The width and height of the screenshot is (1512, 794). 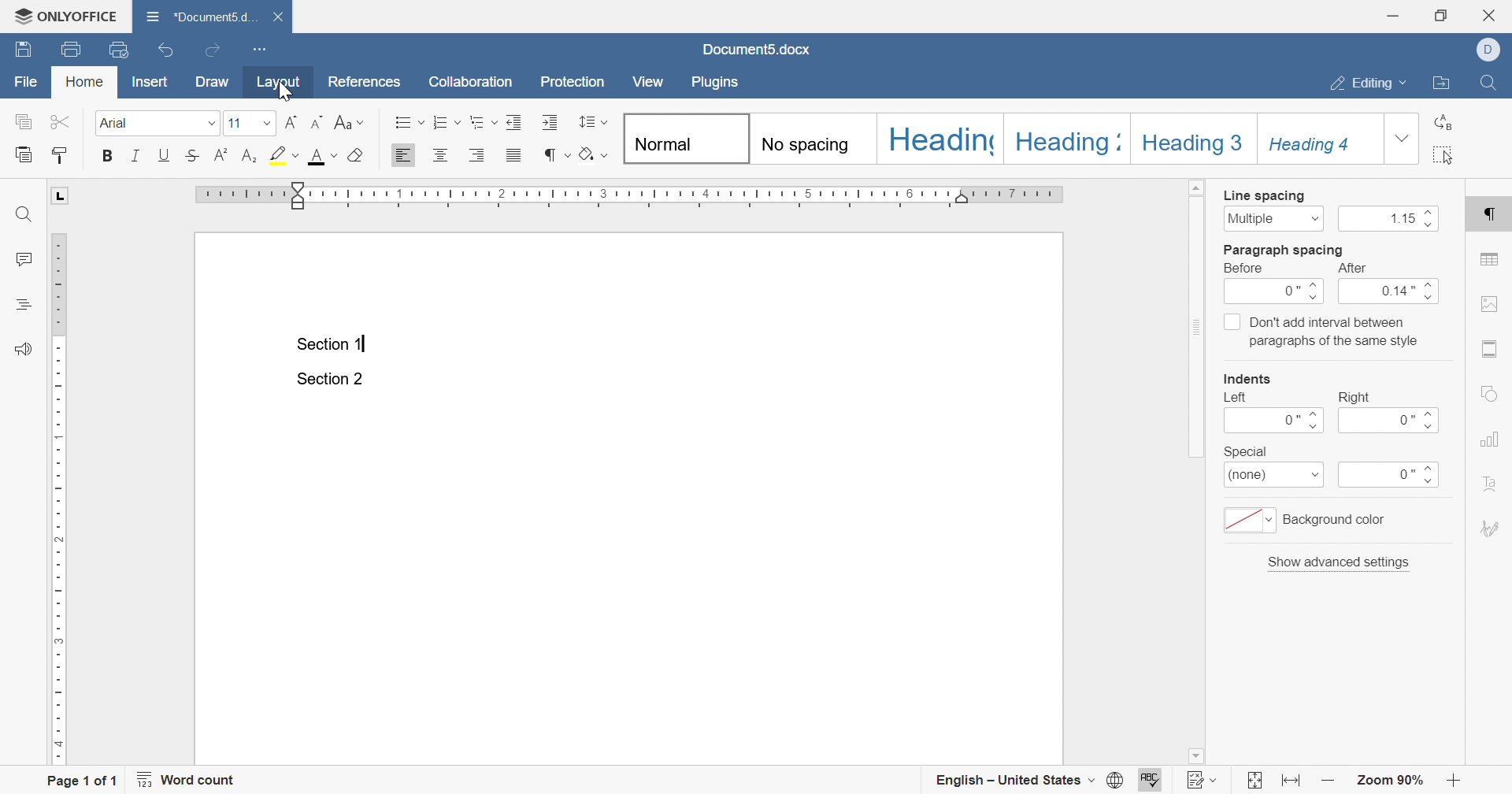 What do you see at coordinates (476, 85) in the screenshot?
I see `collaboration` at bounding box center [476, 85].